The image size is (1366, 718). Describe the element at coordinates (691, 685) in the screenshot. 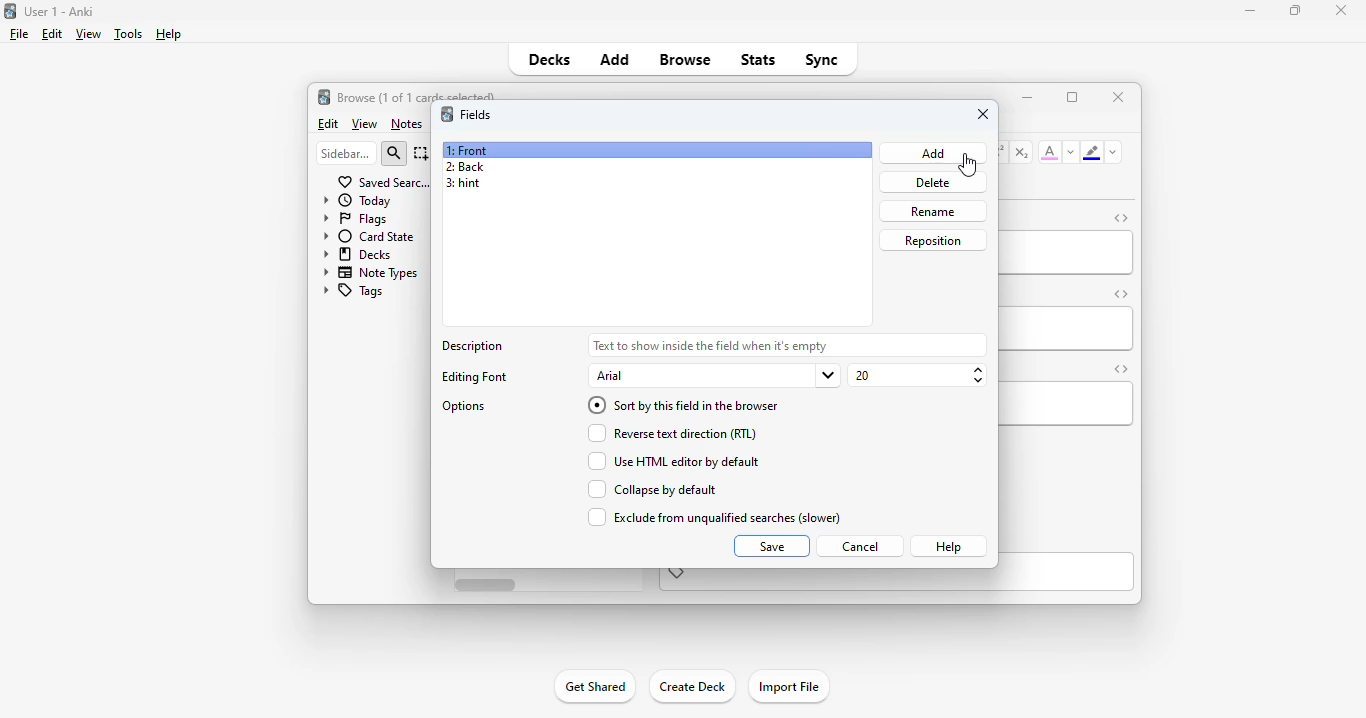

I see `create deck` at that location.